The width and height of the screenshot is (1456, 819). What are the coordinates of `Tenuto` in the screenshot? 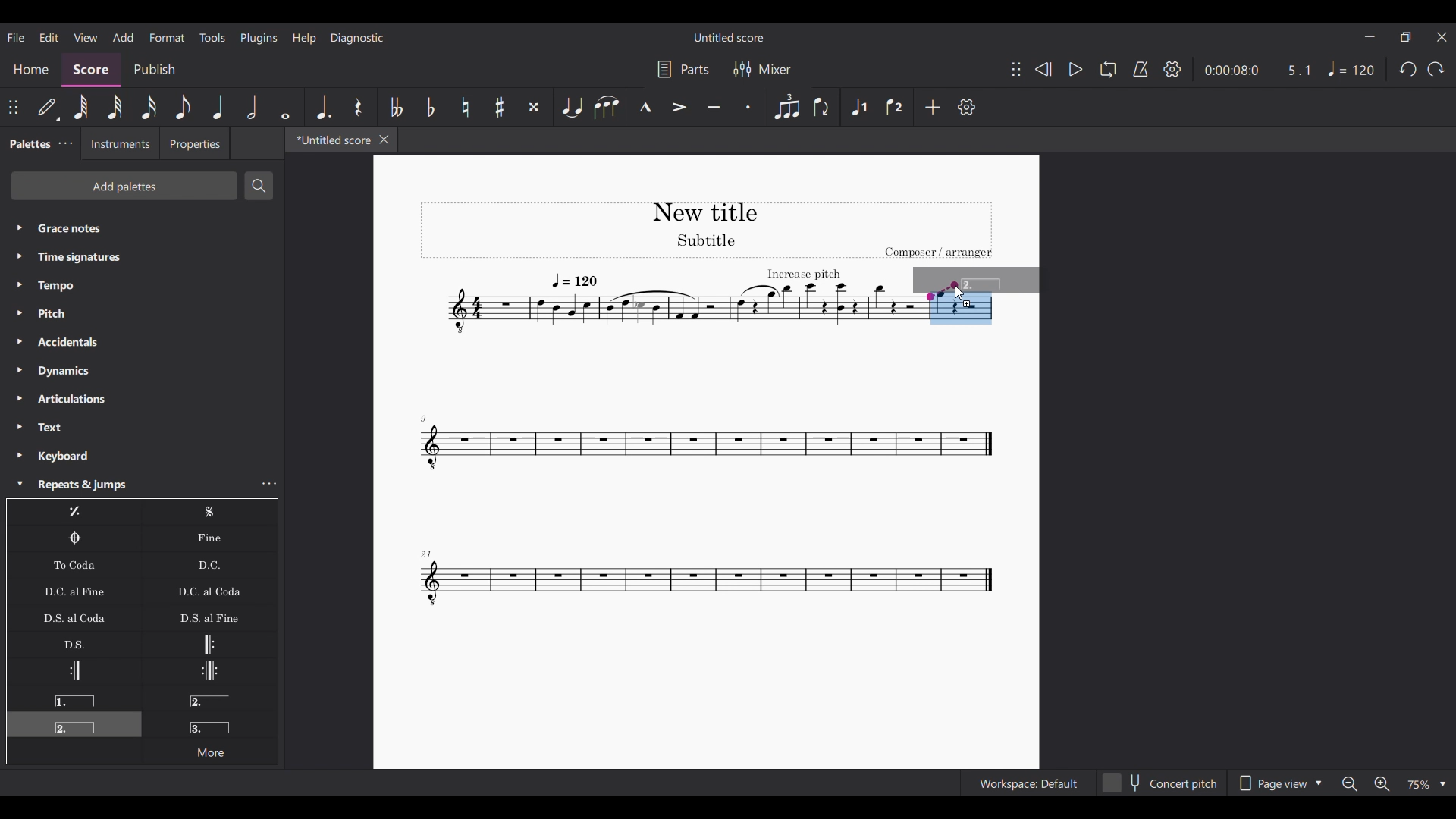 It's located at (714, 107).